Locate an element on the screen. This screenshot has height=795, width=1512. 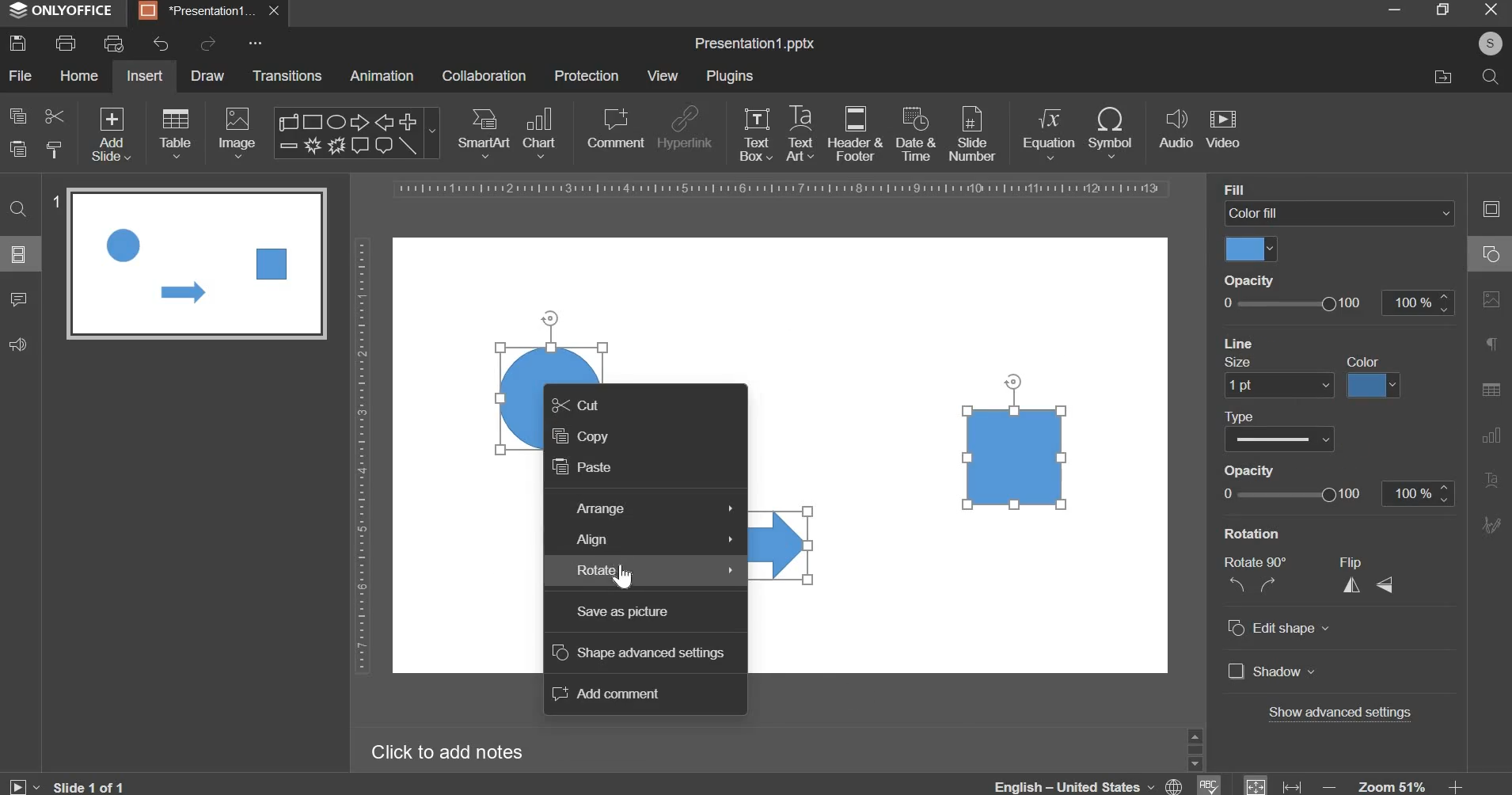
protection is located at coordinates (587, 75).